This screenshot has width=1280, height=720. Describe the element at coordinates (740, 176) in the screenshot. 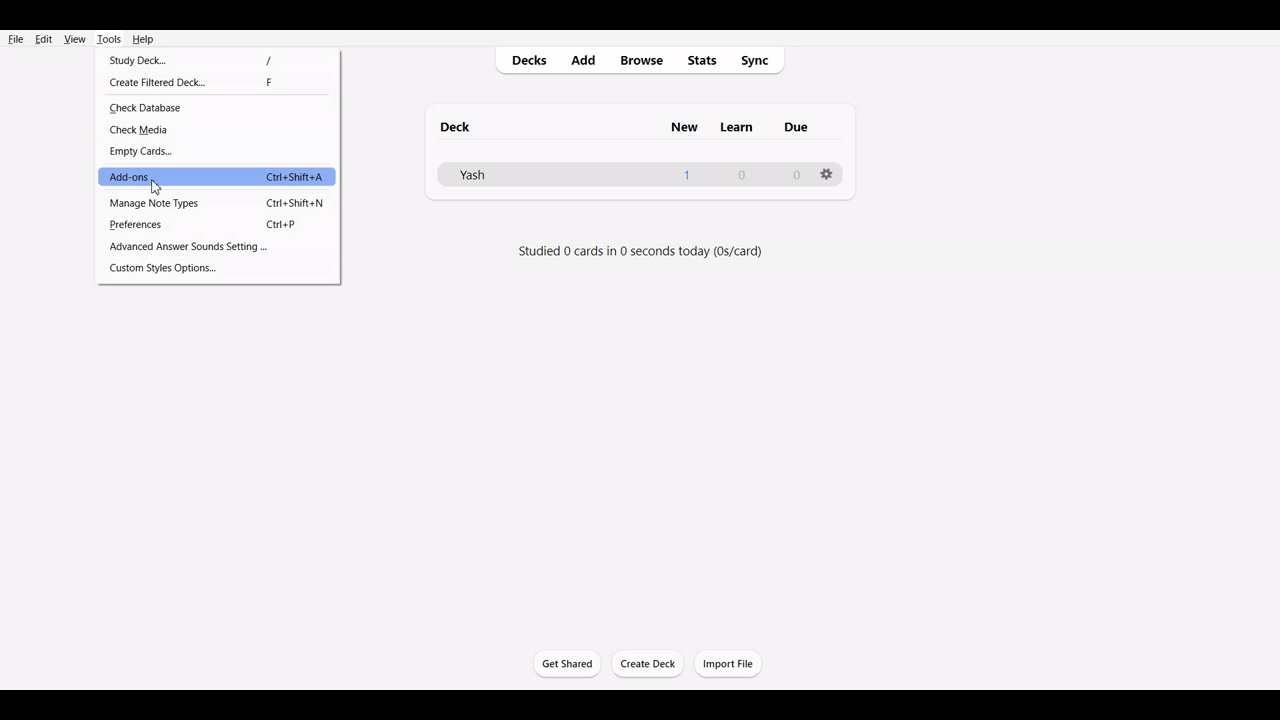

I see `0` at that location.